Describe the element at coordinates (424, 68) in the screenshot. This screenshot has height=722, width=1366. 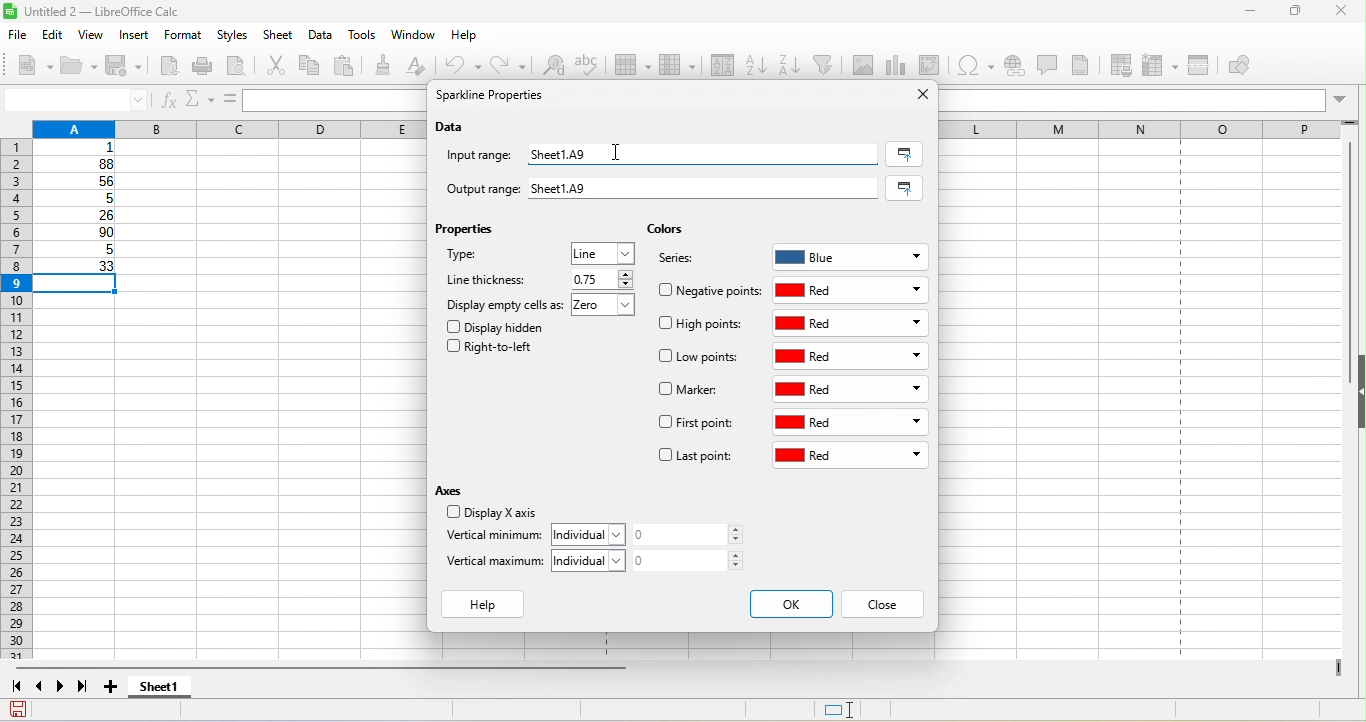
I see `clear direct formatting` at that location.